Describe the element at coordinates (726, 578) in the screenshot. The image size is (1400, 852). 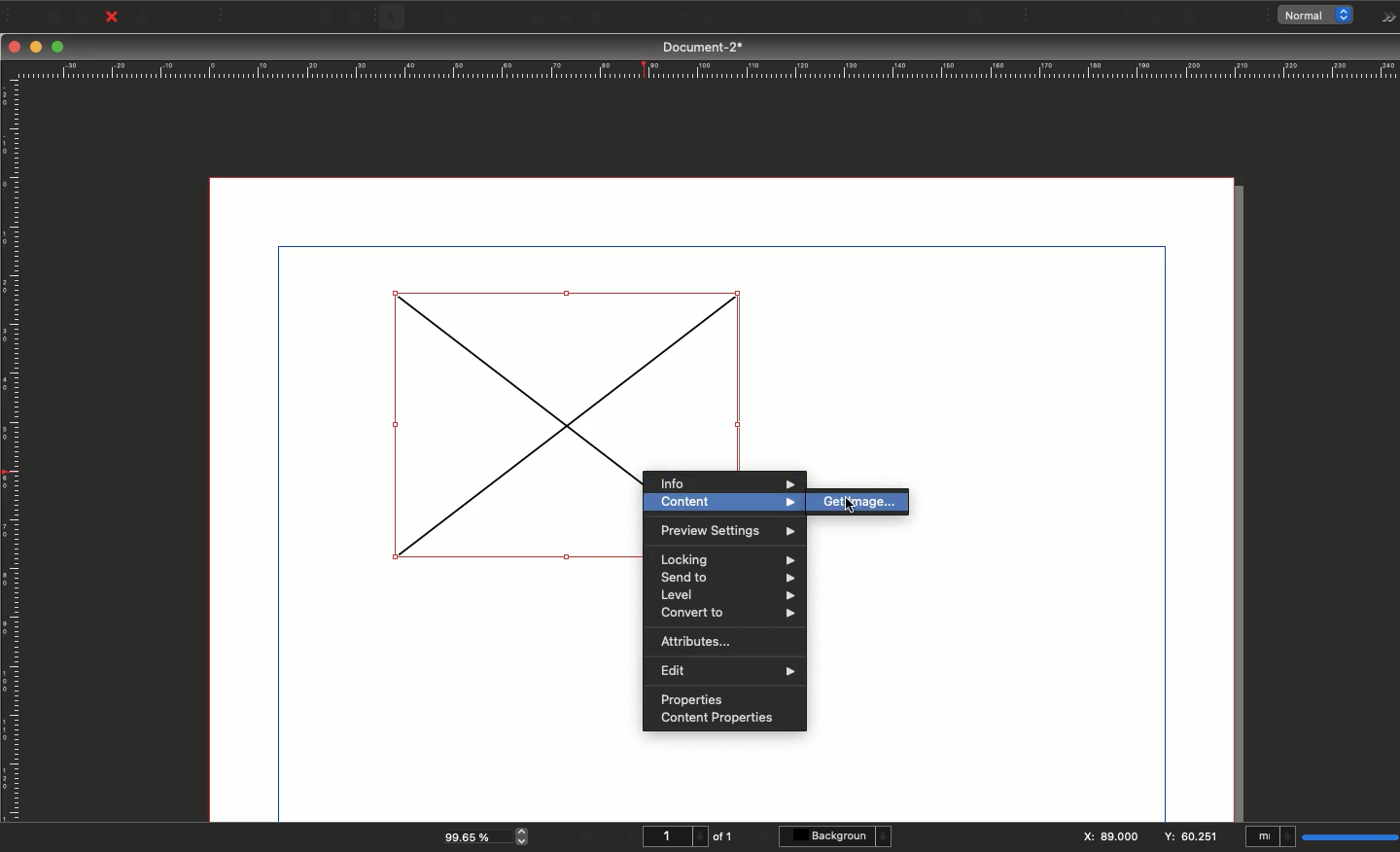
I see `Send to` at that location.